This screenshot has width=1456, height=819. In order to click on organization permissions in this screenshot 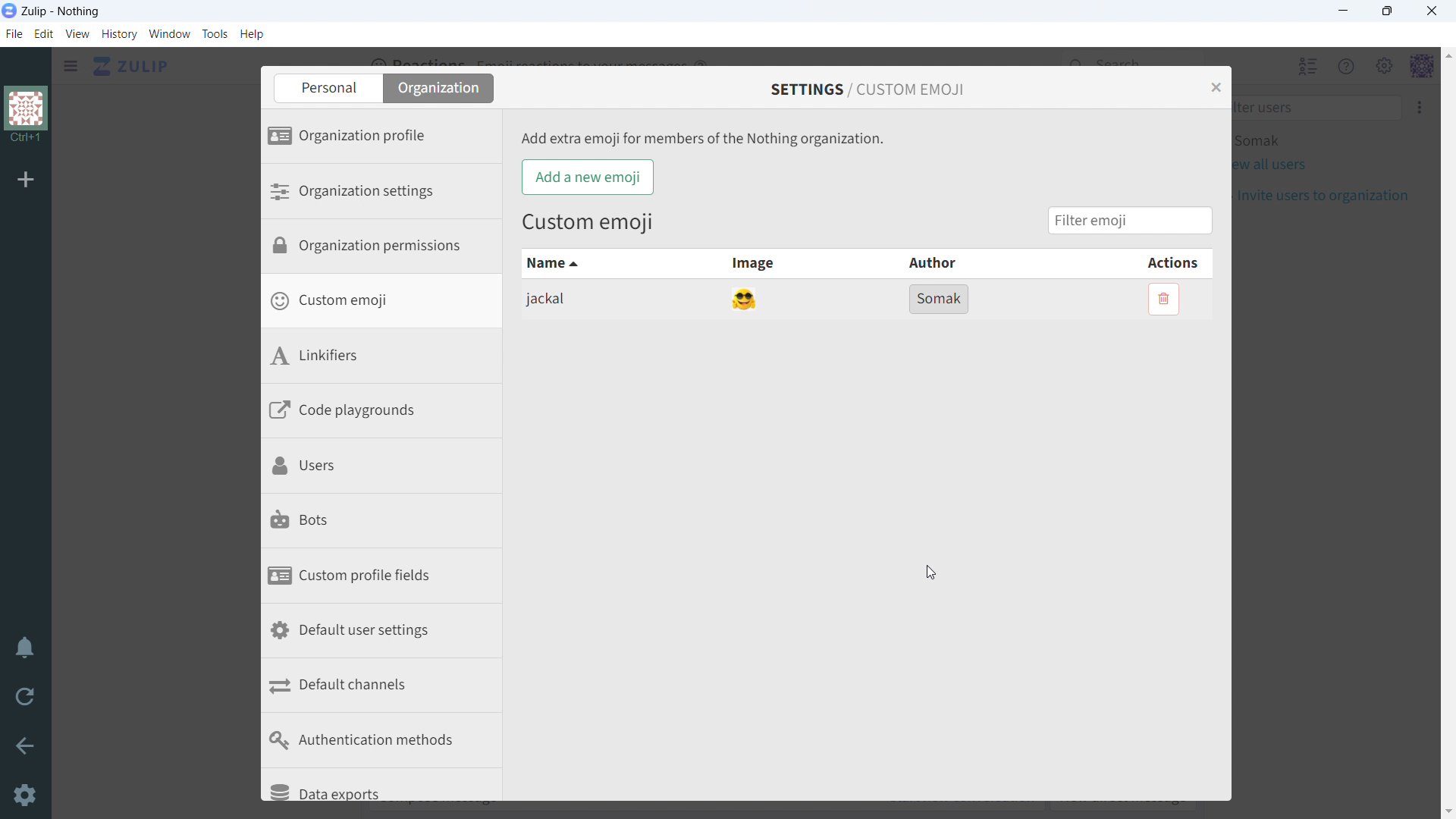, I will do `click(388, 249)`.